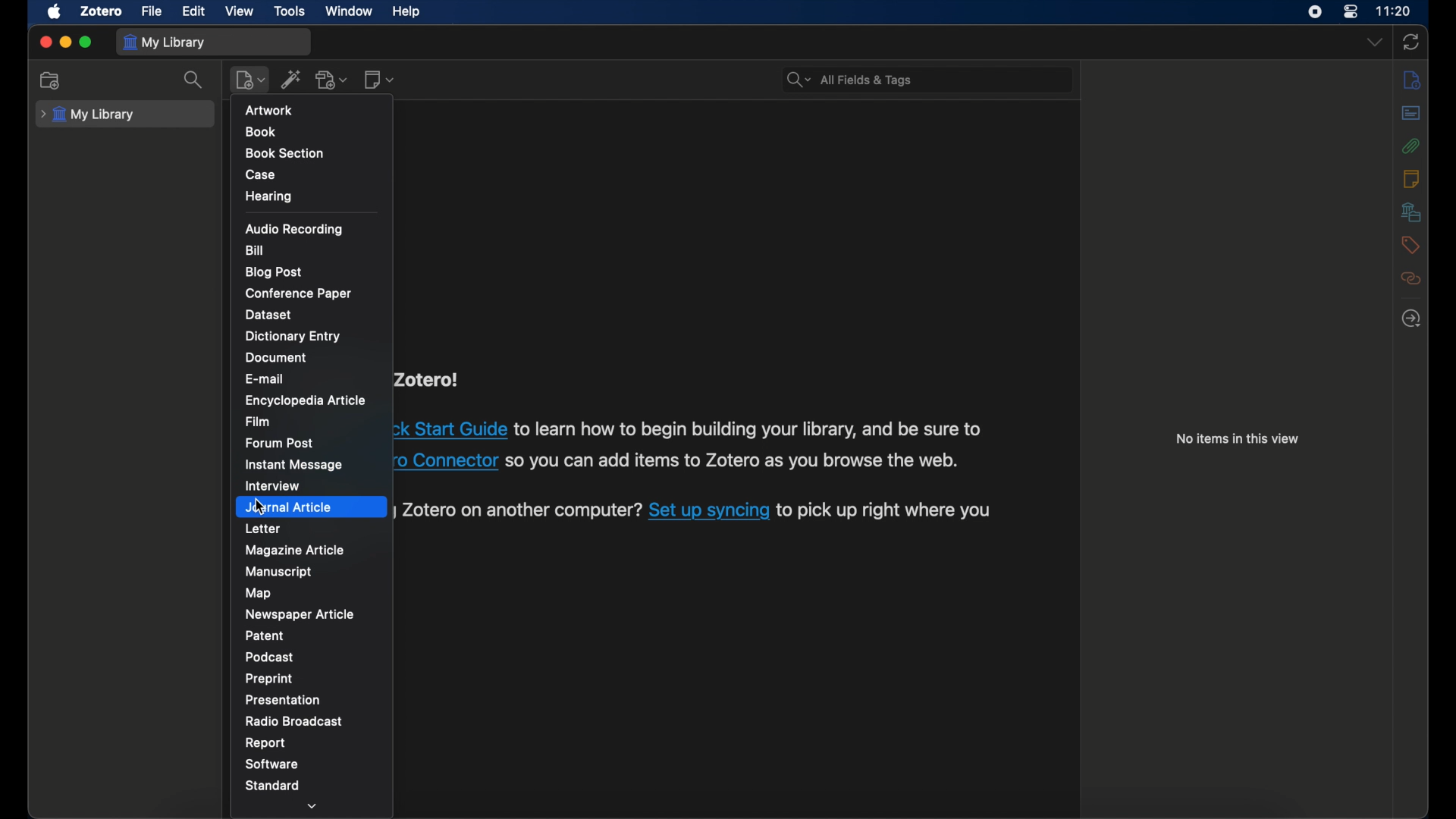 This screenshot has height=819, width=1456. What do you see at coordinates (271, 110) in the screenshot?
I see `artwork` at bounding box center [271, 110].